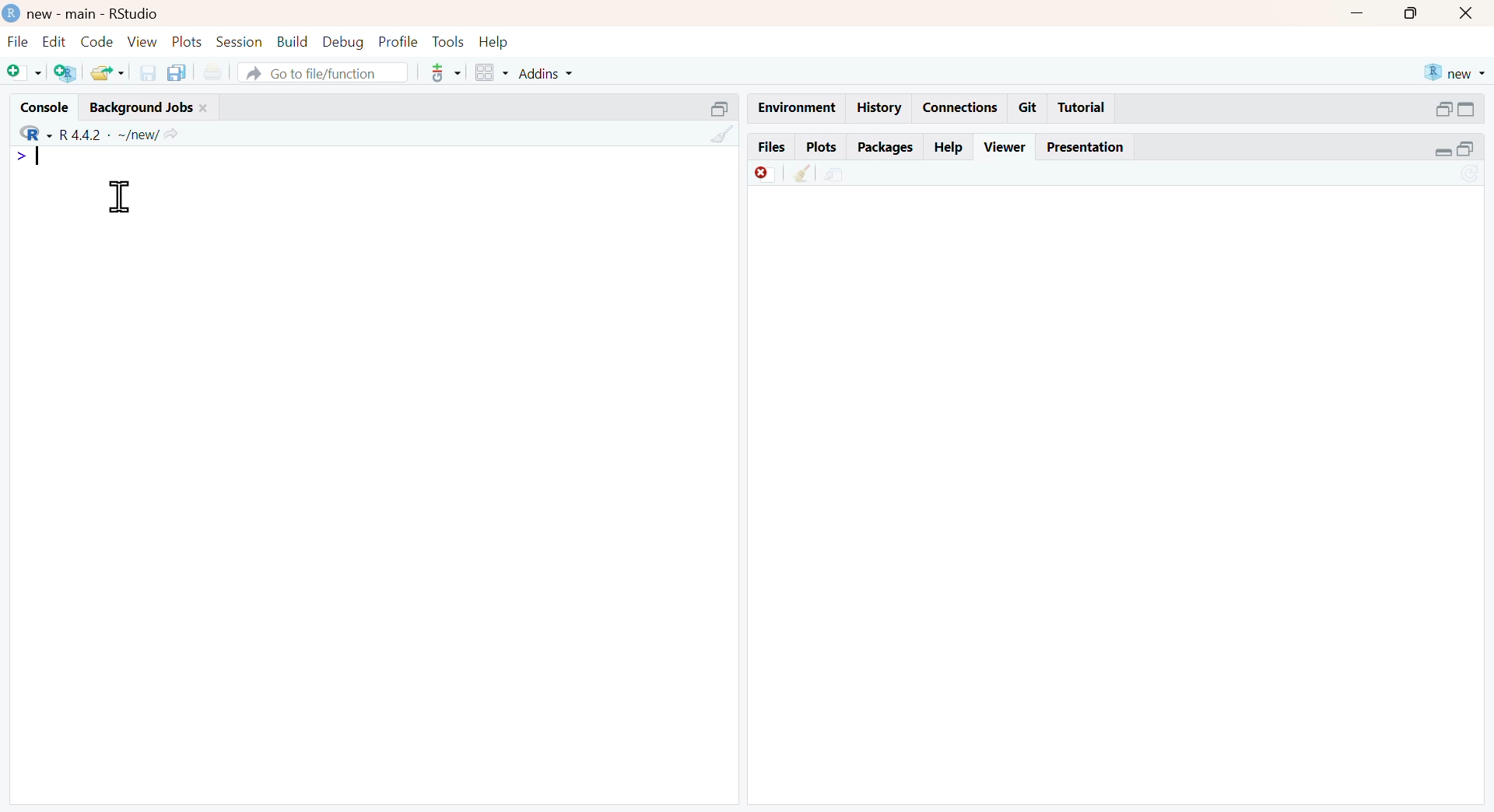  Describe the element at coordinates (97, 41) in the screenshot. I see `code` at that location.